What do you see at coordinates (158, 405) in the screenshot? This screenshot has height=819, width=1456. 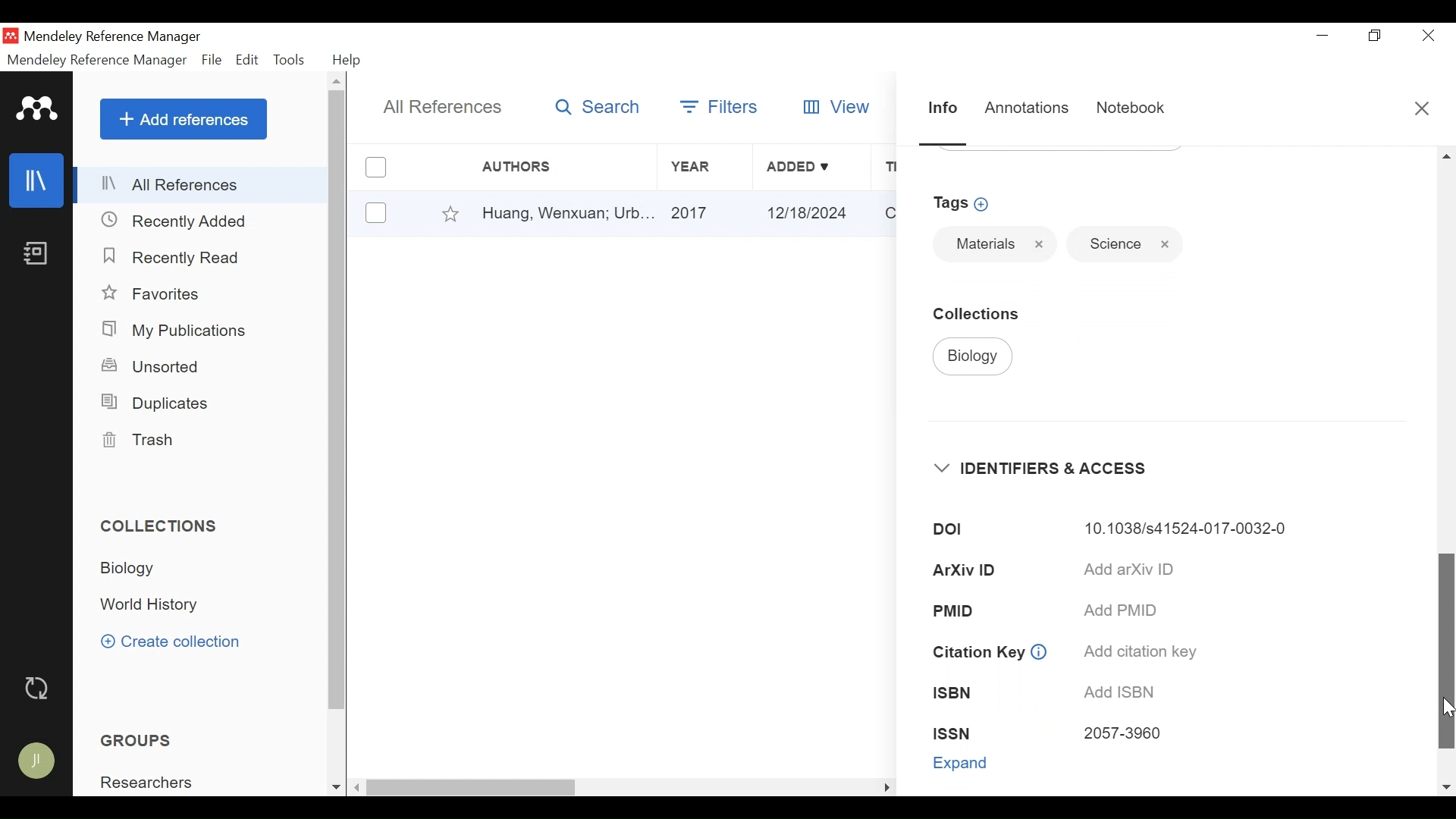 I see `Duplicates` at bounding box center [158, 405].